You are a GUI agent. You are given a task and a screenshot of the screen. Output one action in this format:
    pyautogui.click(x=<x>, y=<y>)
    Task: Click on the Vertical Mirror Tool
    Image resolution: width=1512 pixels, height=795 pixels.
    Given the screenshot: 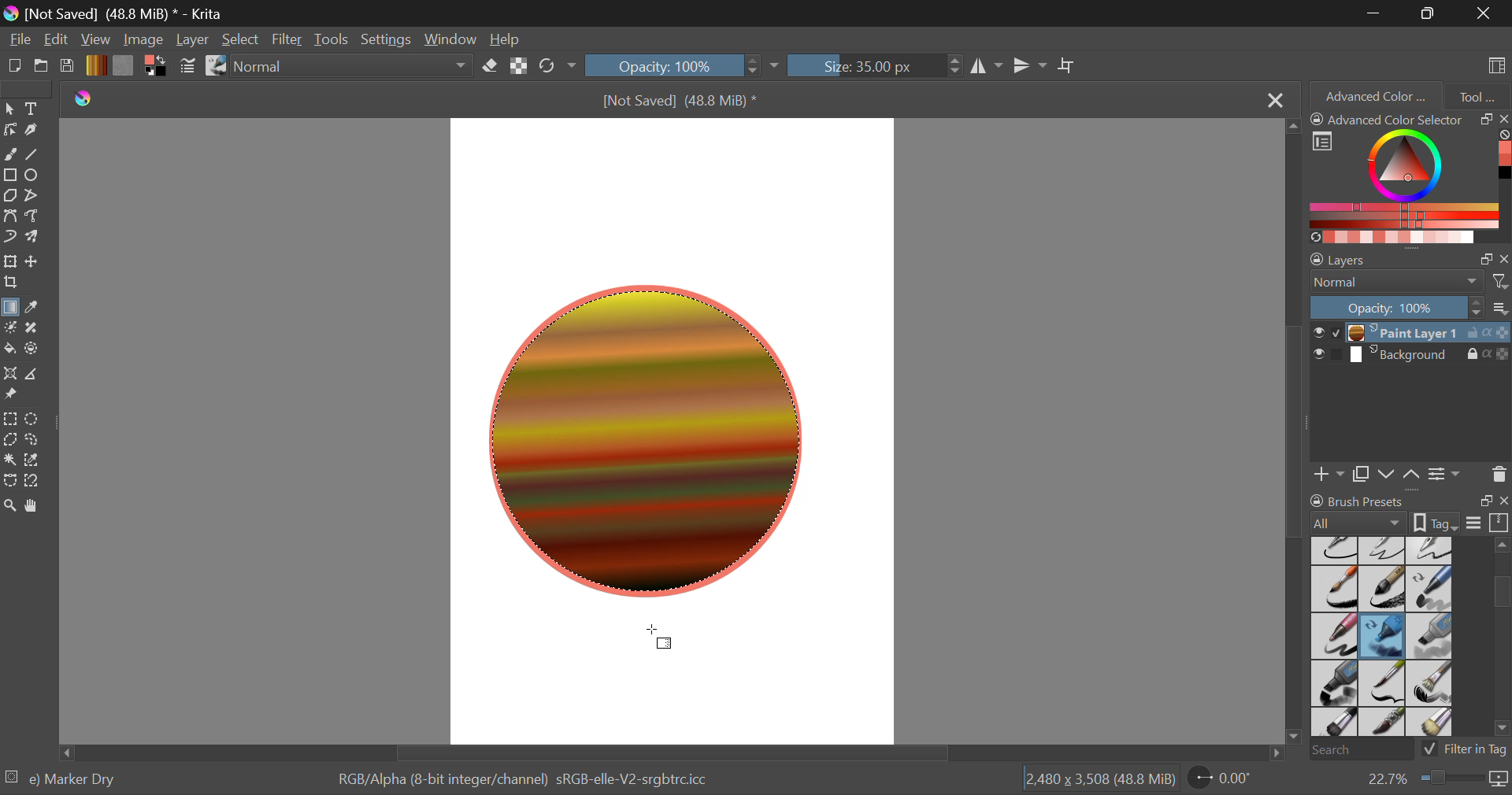 What is the action you would take?
    pyautogui.click(x=1029, y=66)
    